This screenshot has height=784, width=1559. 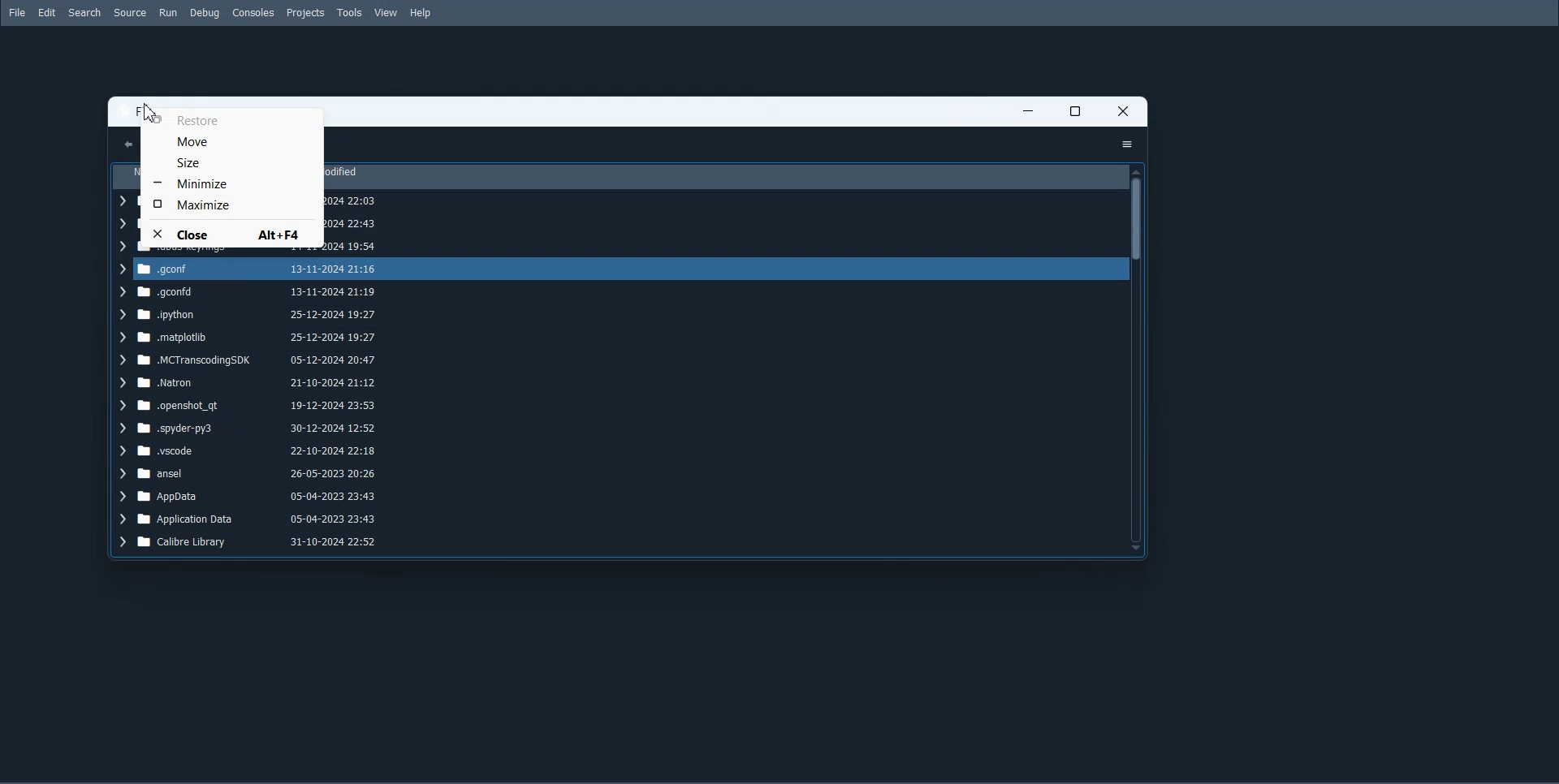 I want to click on Maximize, so click(x=1075, y=111).